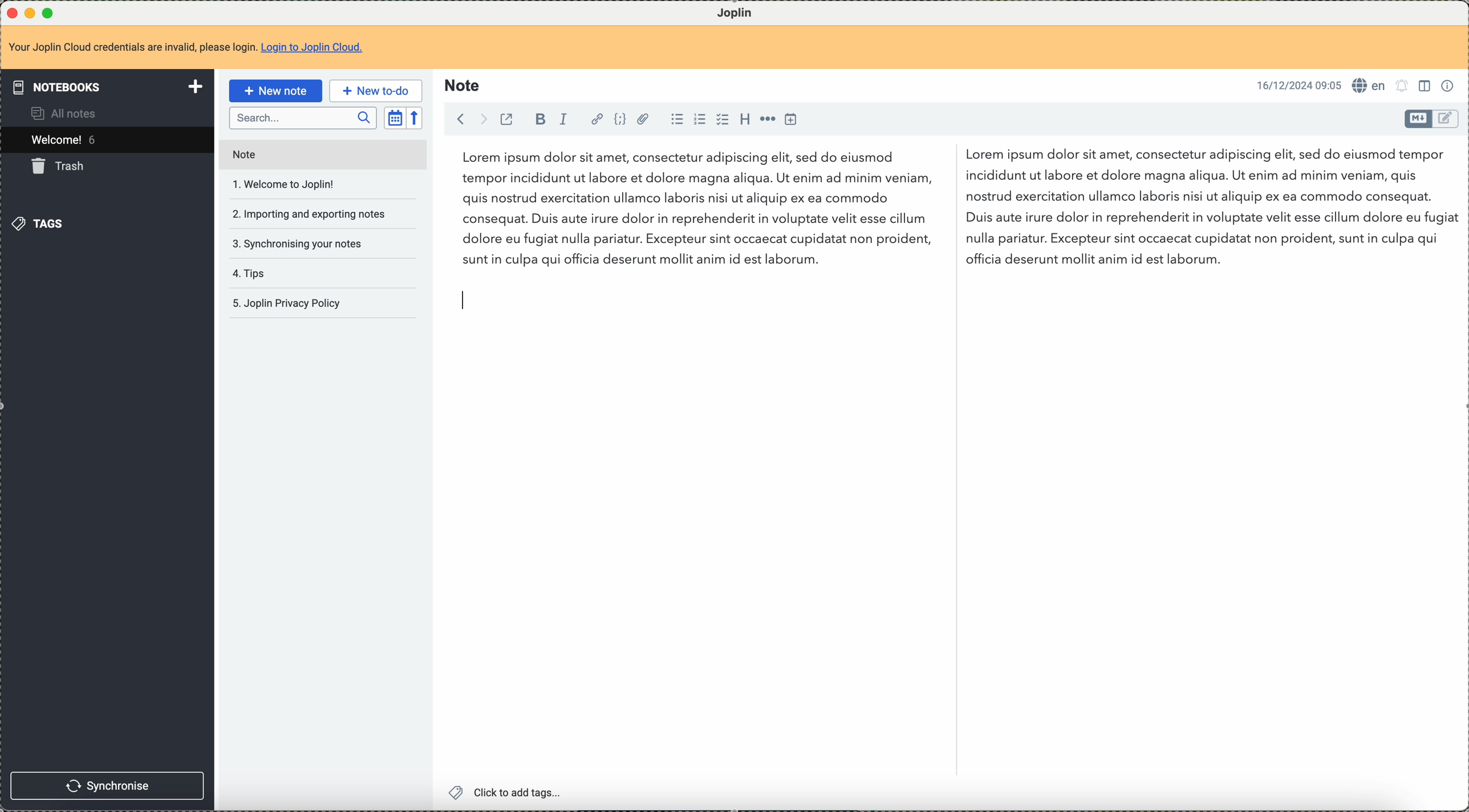  Describe the element at coordinates (62, 168) in the screenshot. I see `trash` at that location.